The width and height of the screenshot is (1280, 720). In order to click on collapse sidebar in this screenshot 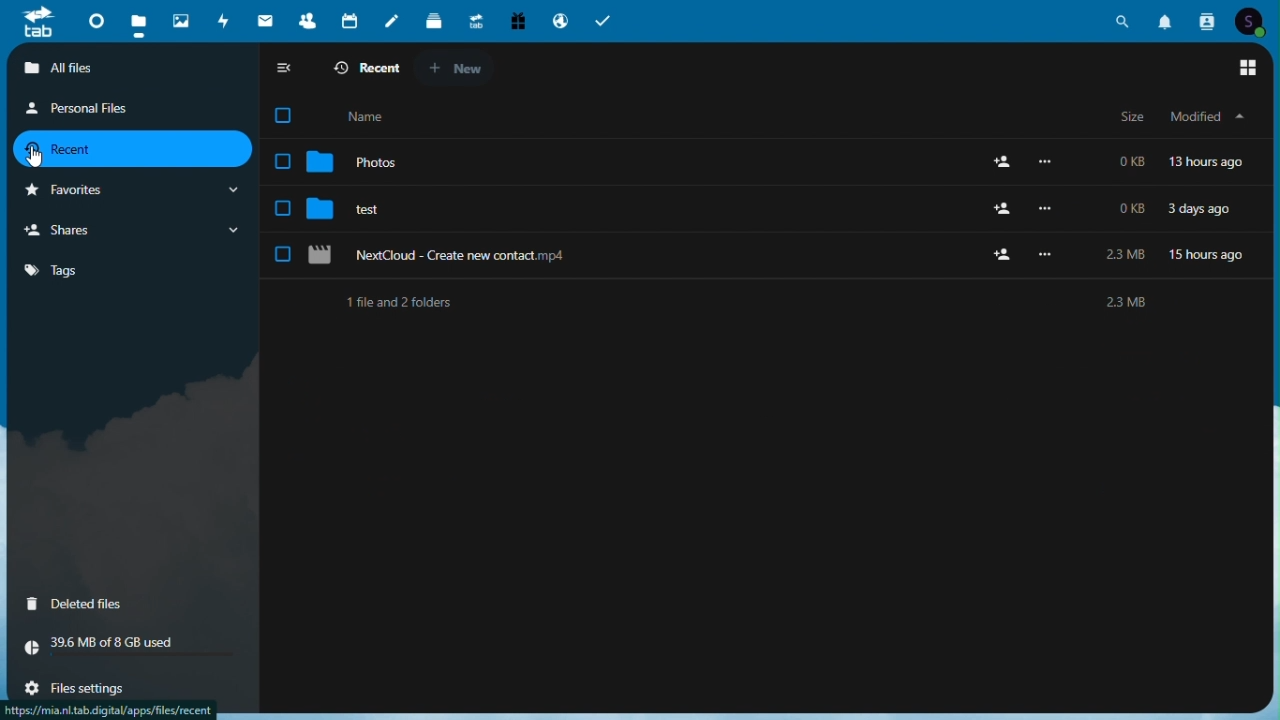, I will do `click(285, 70)`.